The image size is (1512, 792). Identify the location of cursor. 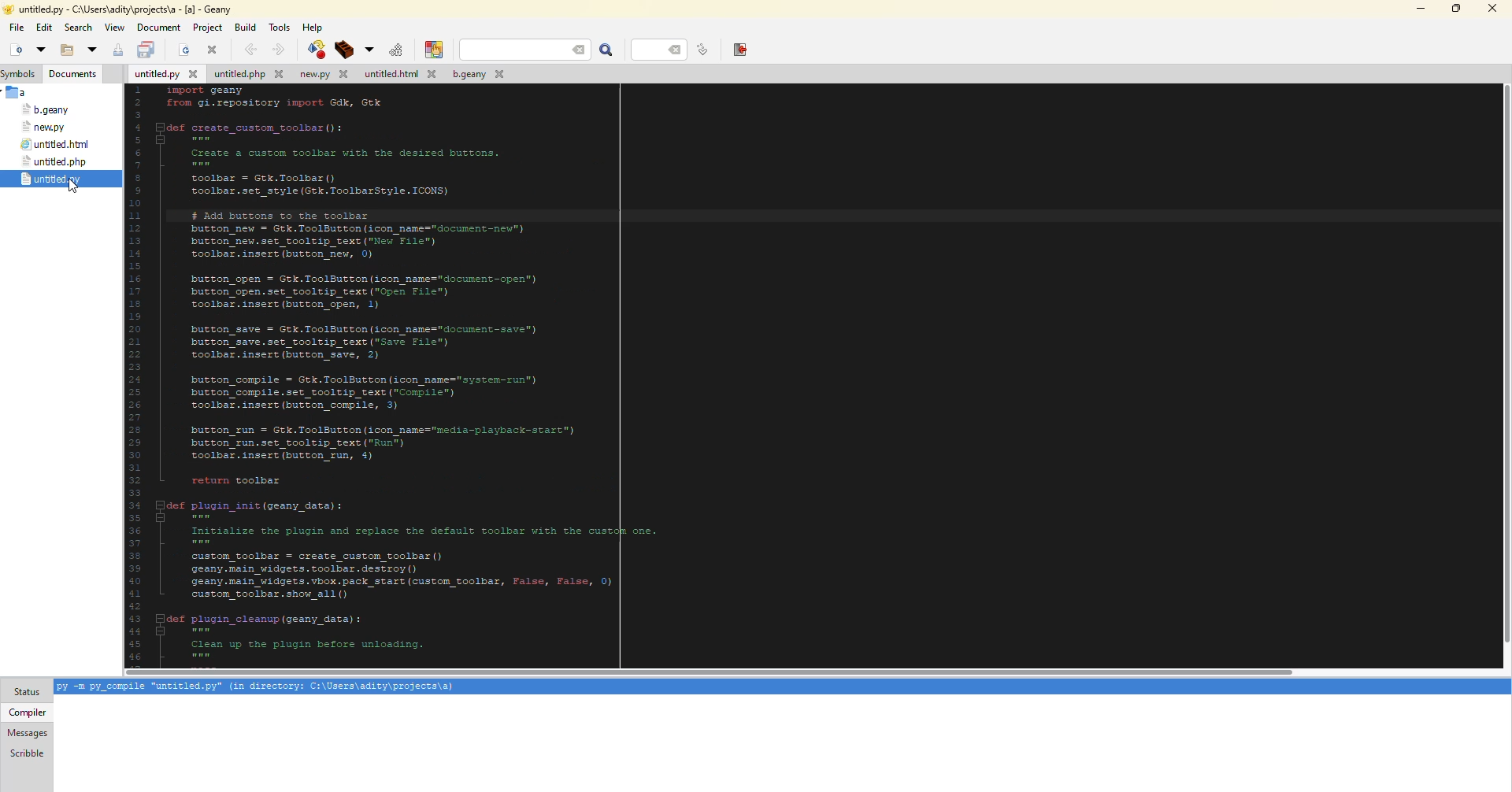
(72, 190).